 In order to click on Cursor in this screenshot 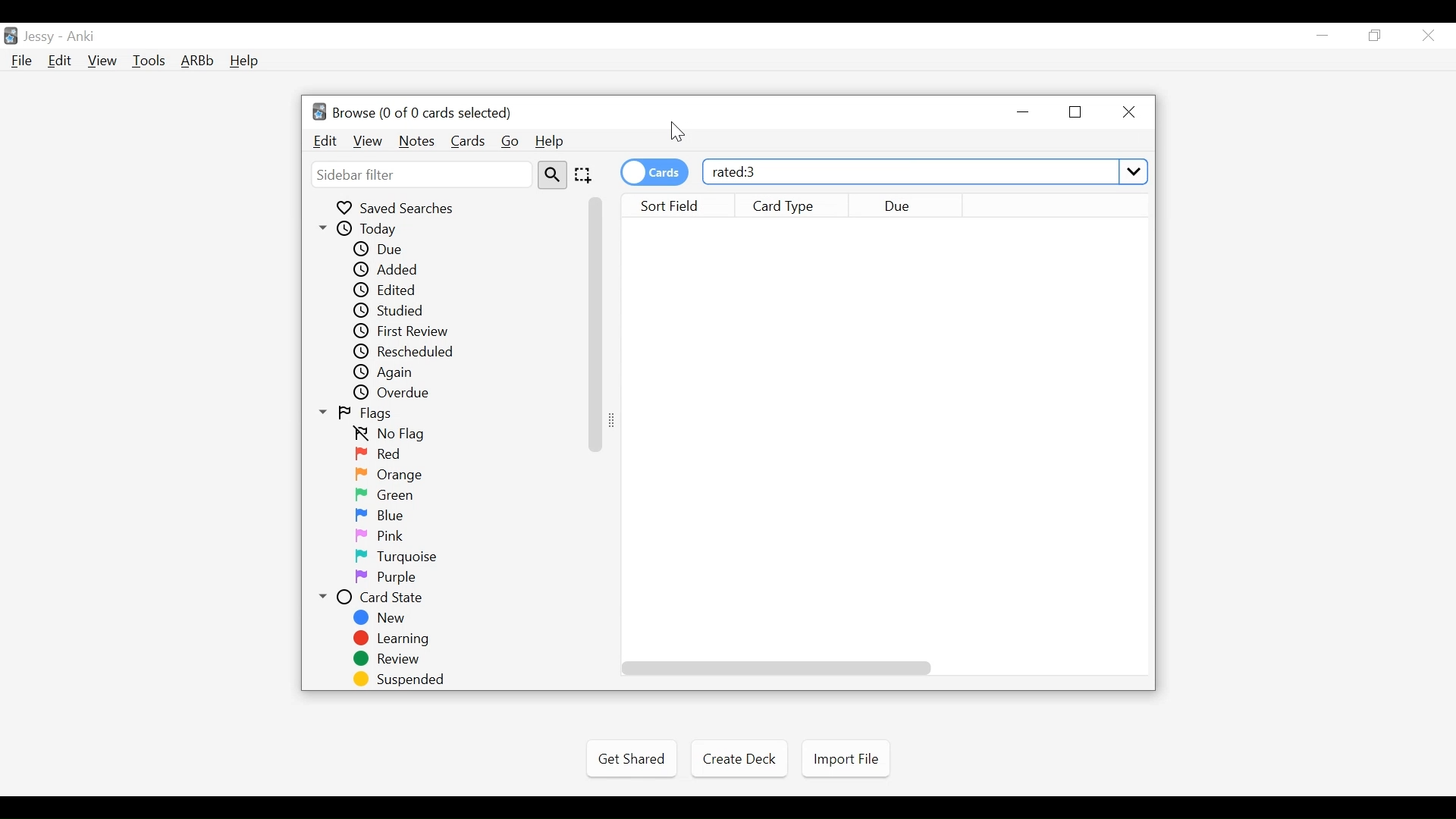, I will do `click(677, 134)`.